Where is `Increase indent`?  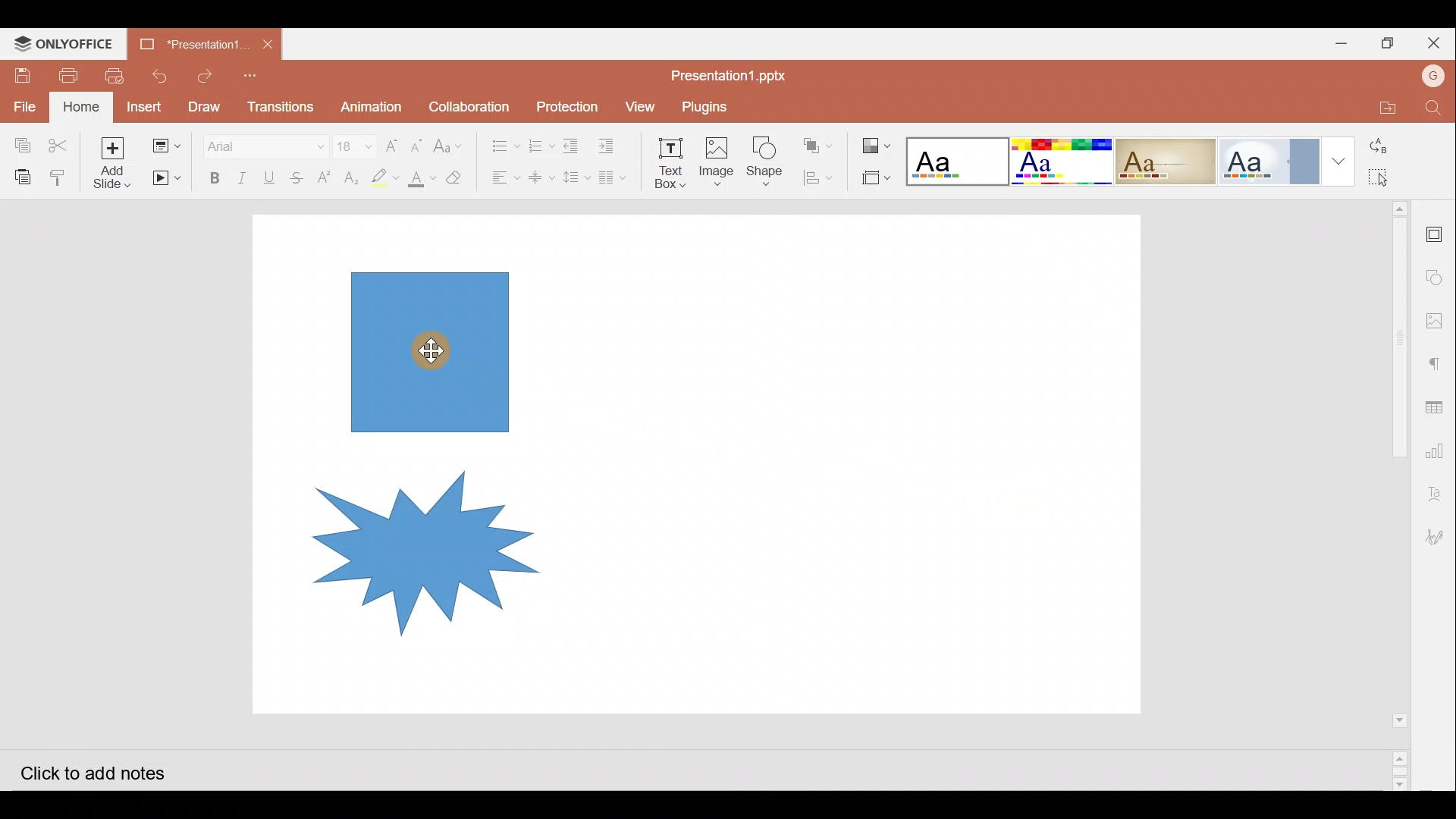 Increase indent is located at coordinates (611, 142).